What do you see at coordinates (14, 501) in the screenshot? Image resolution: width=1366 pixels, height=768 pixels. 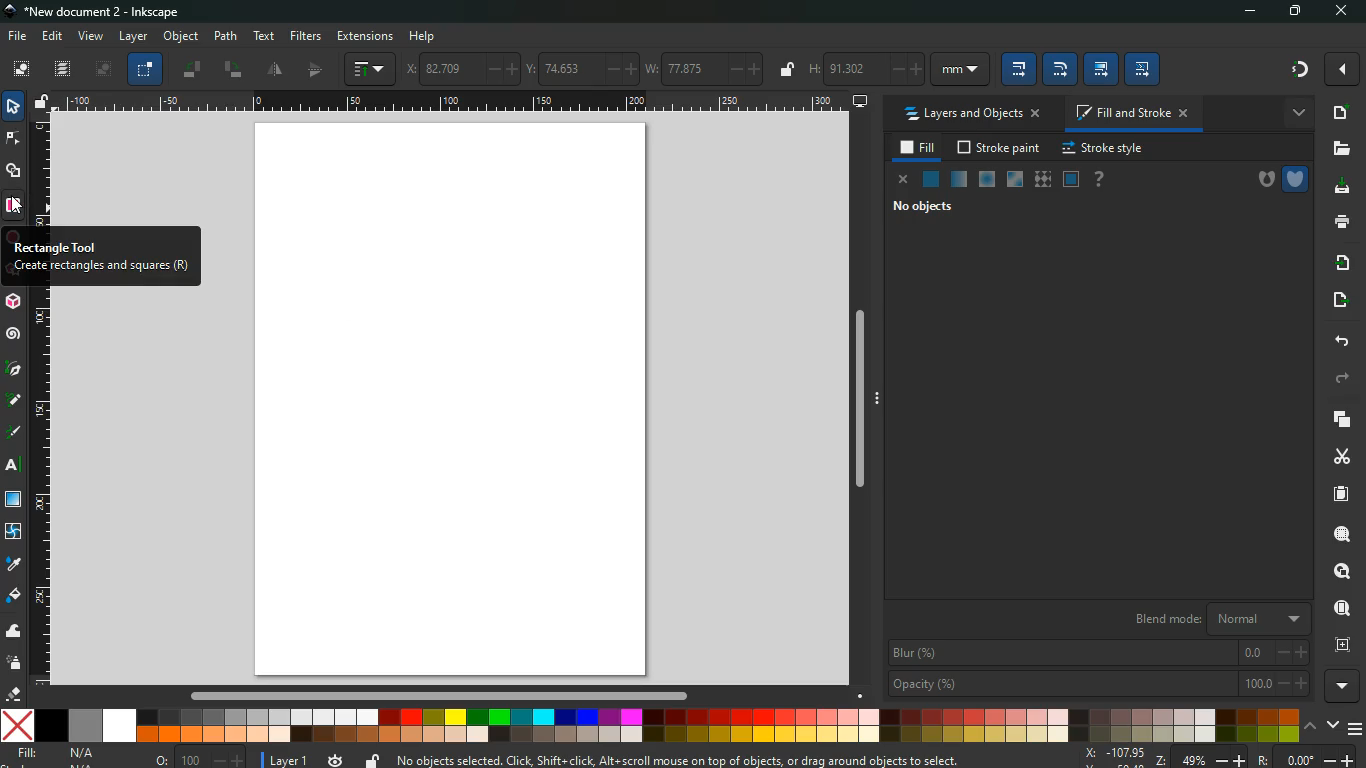 I see `window` at bounding box center [14, 501].